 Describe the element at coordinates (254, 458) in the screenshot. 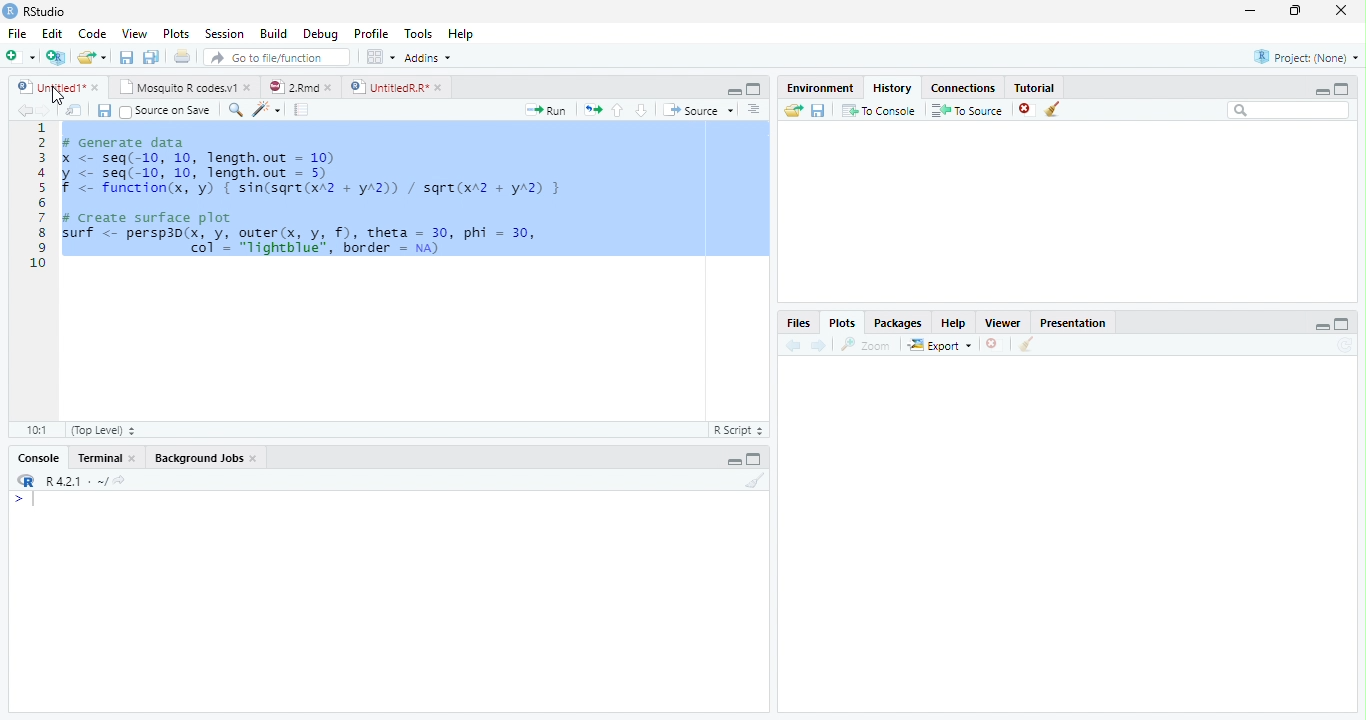

I see `Close` at that location.